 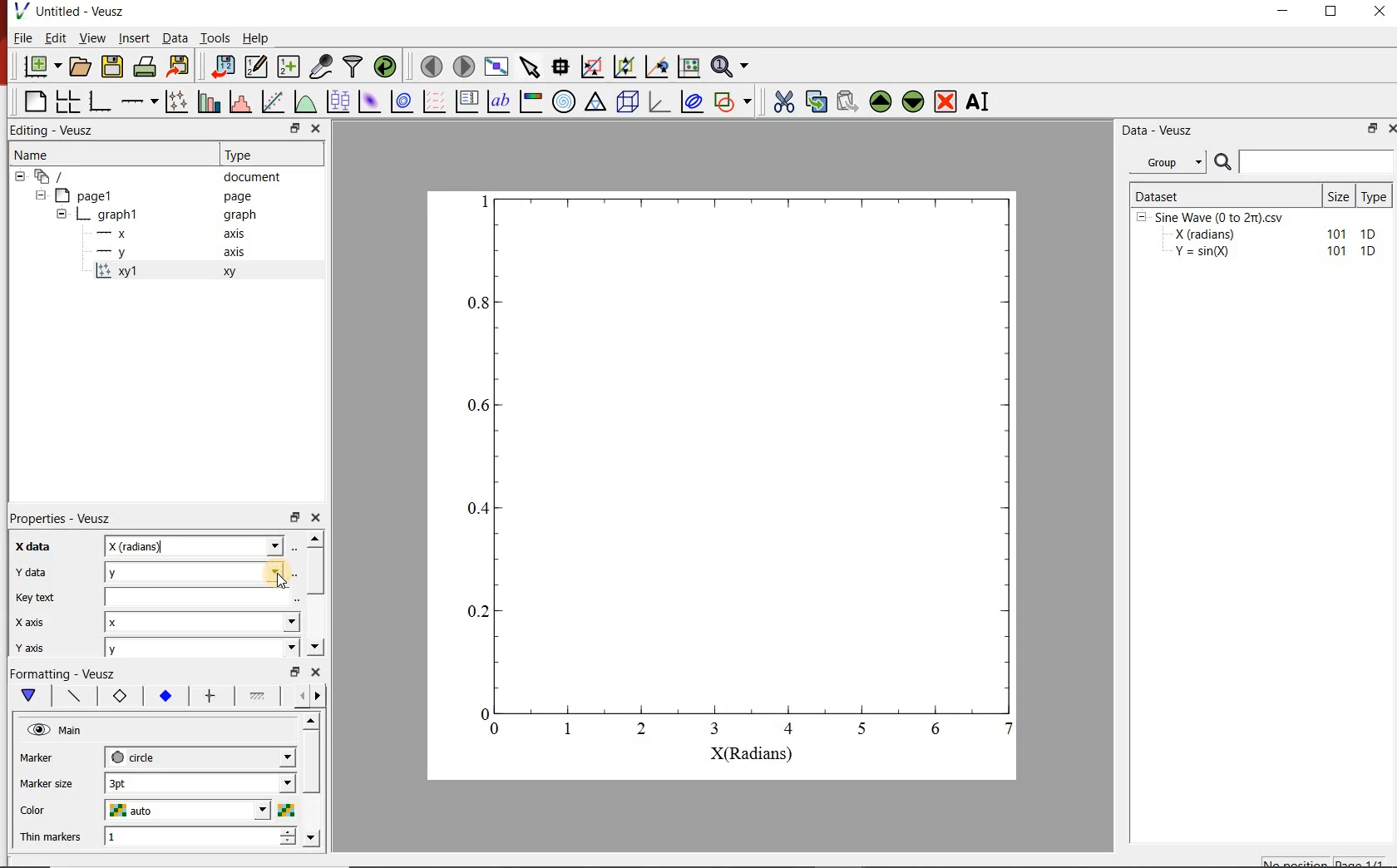 I want to click on Textbox, so click(x=195, y=545).